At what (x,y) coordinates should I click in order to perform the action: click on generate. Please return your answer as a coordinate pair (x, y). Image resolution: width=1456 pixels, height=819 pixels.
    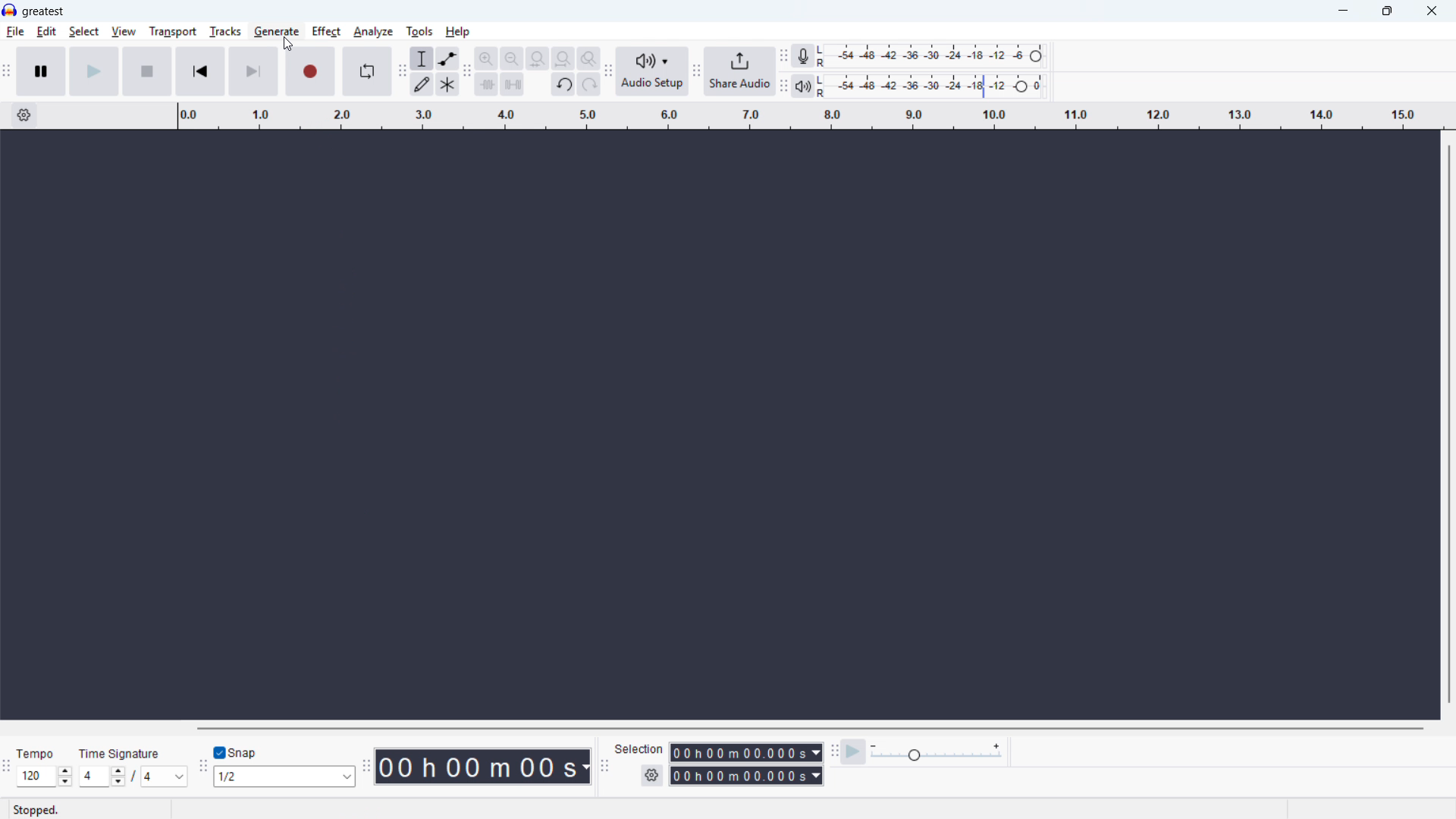
    Looking at the image, I should click on (275, 32).